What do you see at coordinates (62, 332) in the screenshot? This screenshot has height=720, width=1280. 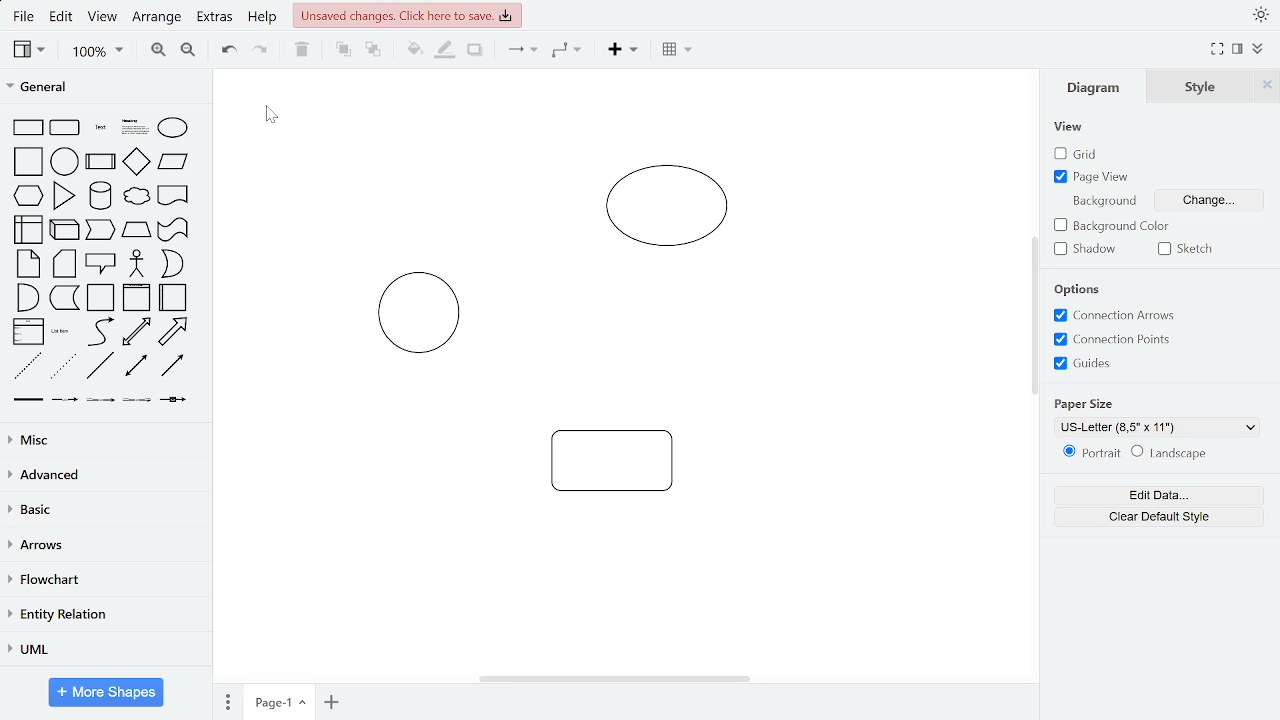 I see `list item` at bounding box center [62, 332].